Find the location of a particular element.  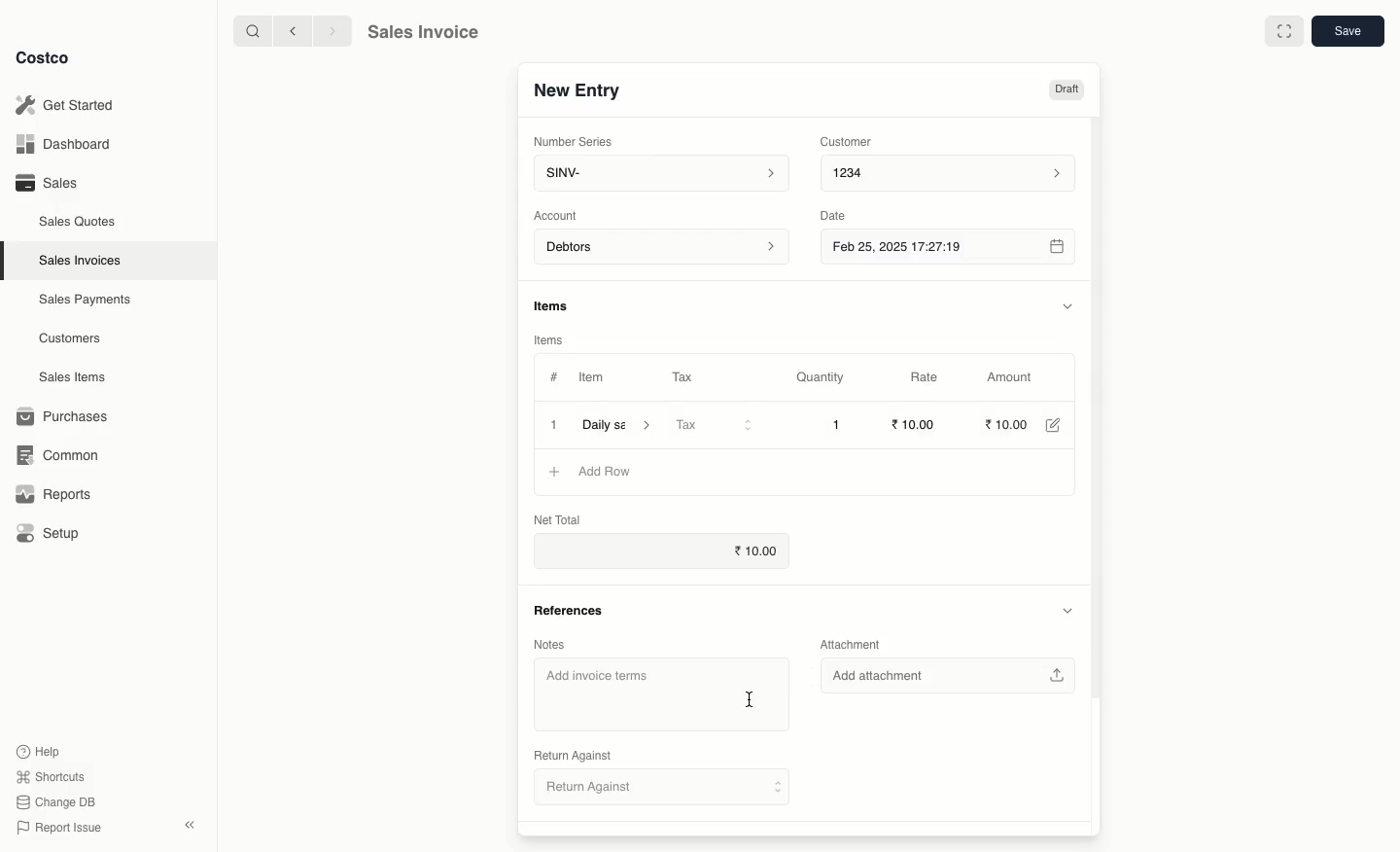

Notes is located at coordinates (550, 644).